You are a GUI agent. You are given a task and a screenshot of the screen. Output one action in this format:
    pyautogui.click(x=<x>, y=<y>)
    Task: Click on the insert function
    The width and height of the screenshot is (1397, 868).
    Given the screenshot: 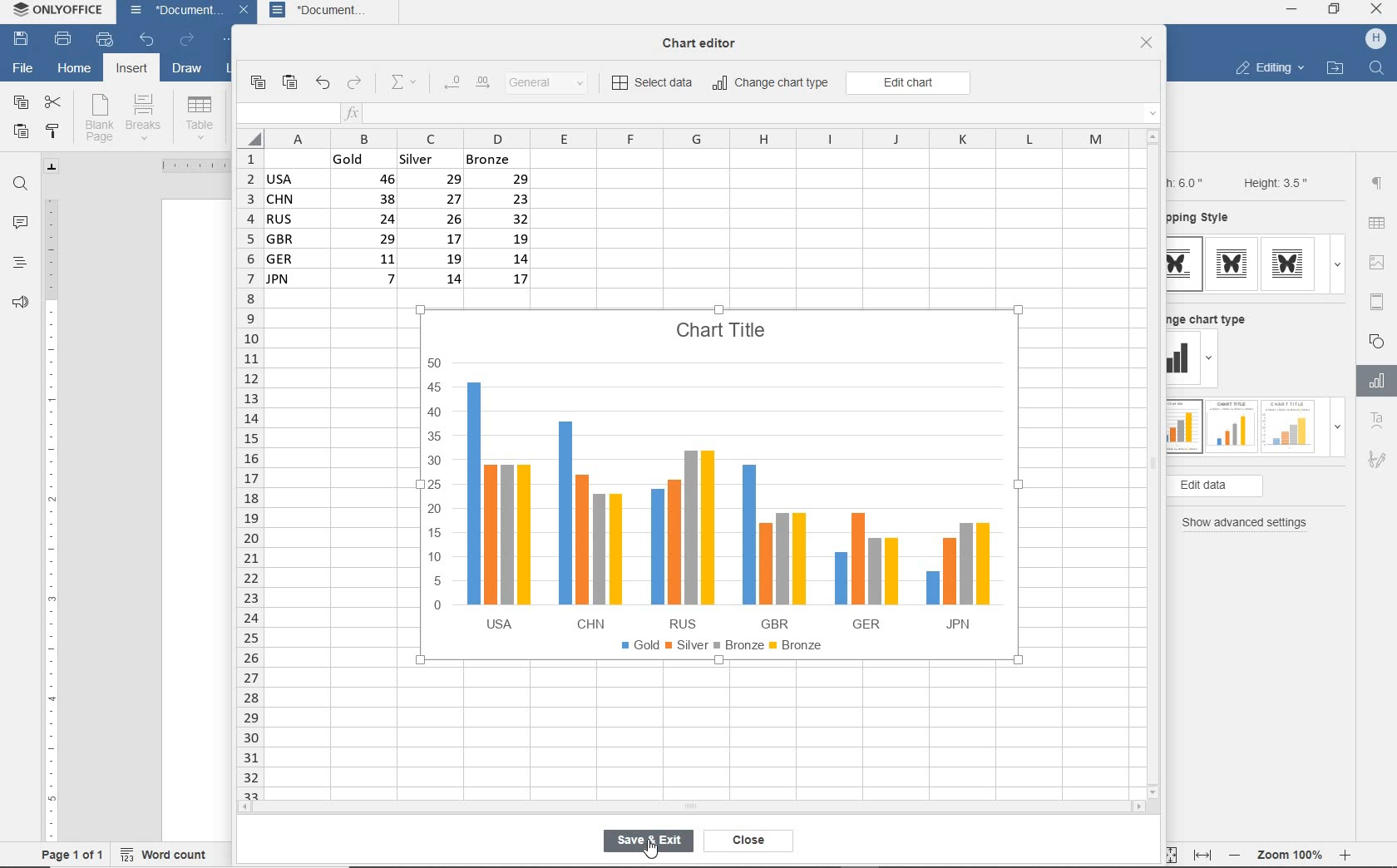 What is the action you would take?
    pyautogui.click(x=753, y=114)
    